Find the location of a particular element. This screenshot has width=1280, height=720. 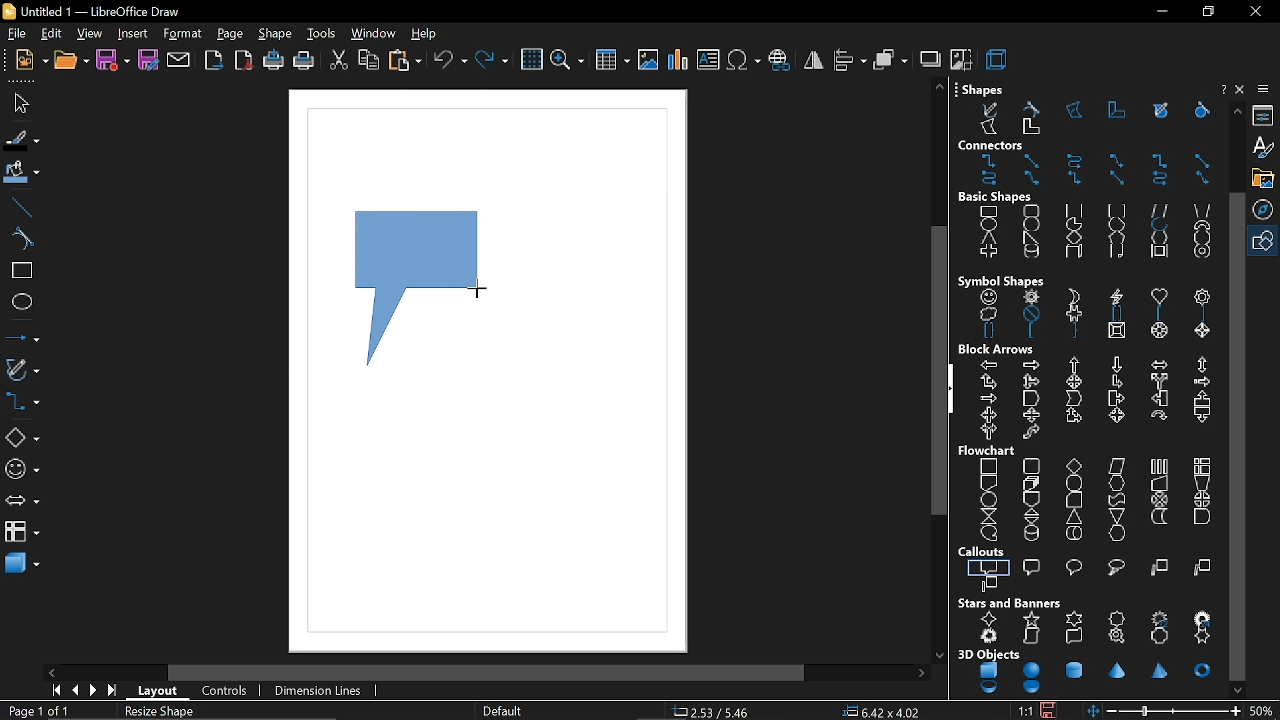

magnetic disc is located at coordinates (1029, 533).